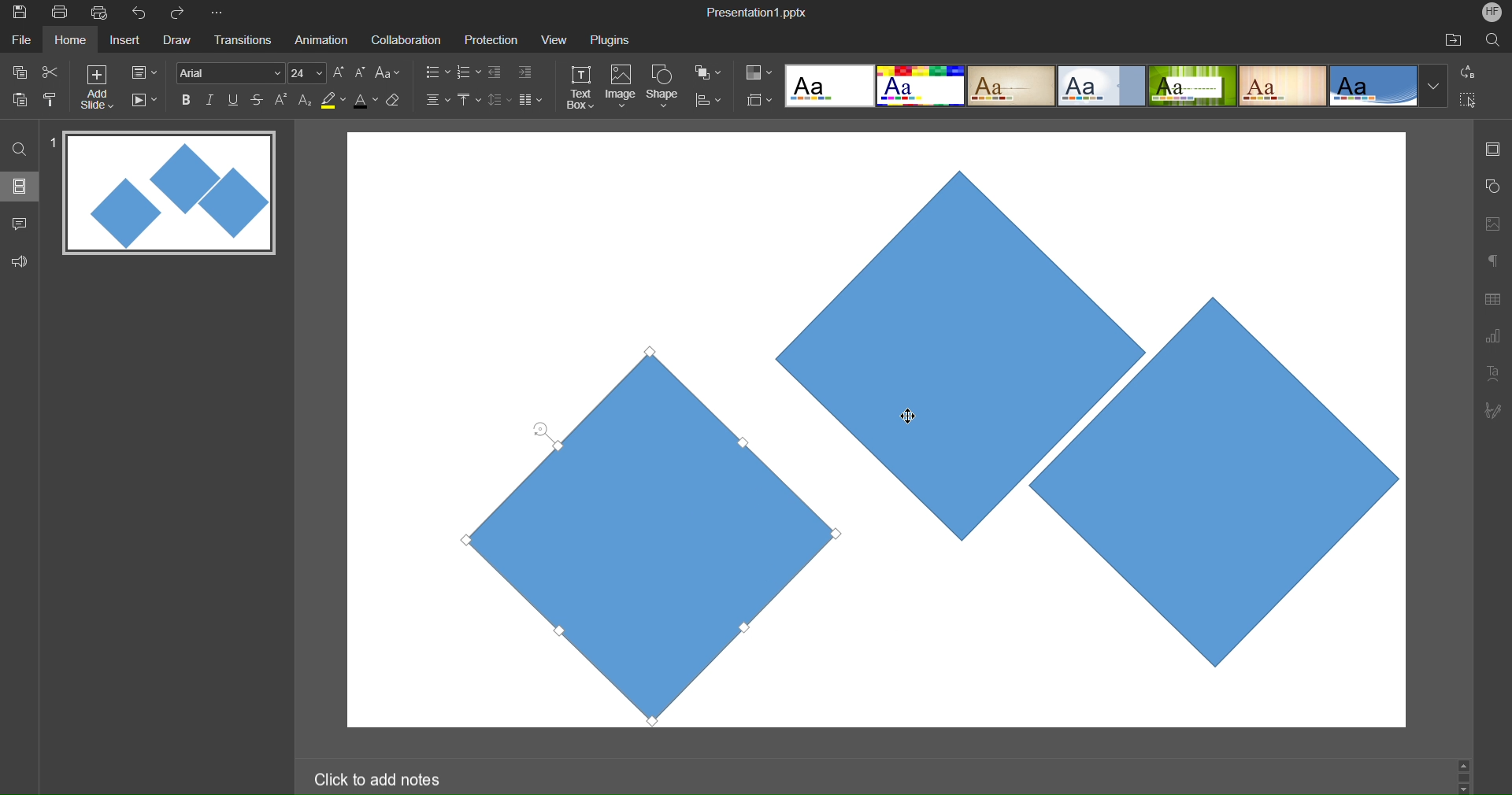  I want to click on Undo, so click(143, 13).